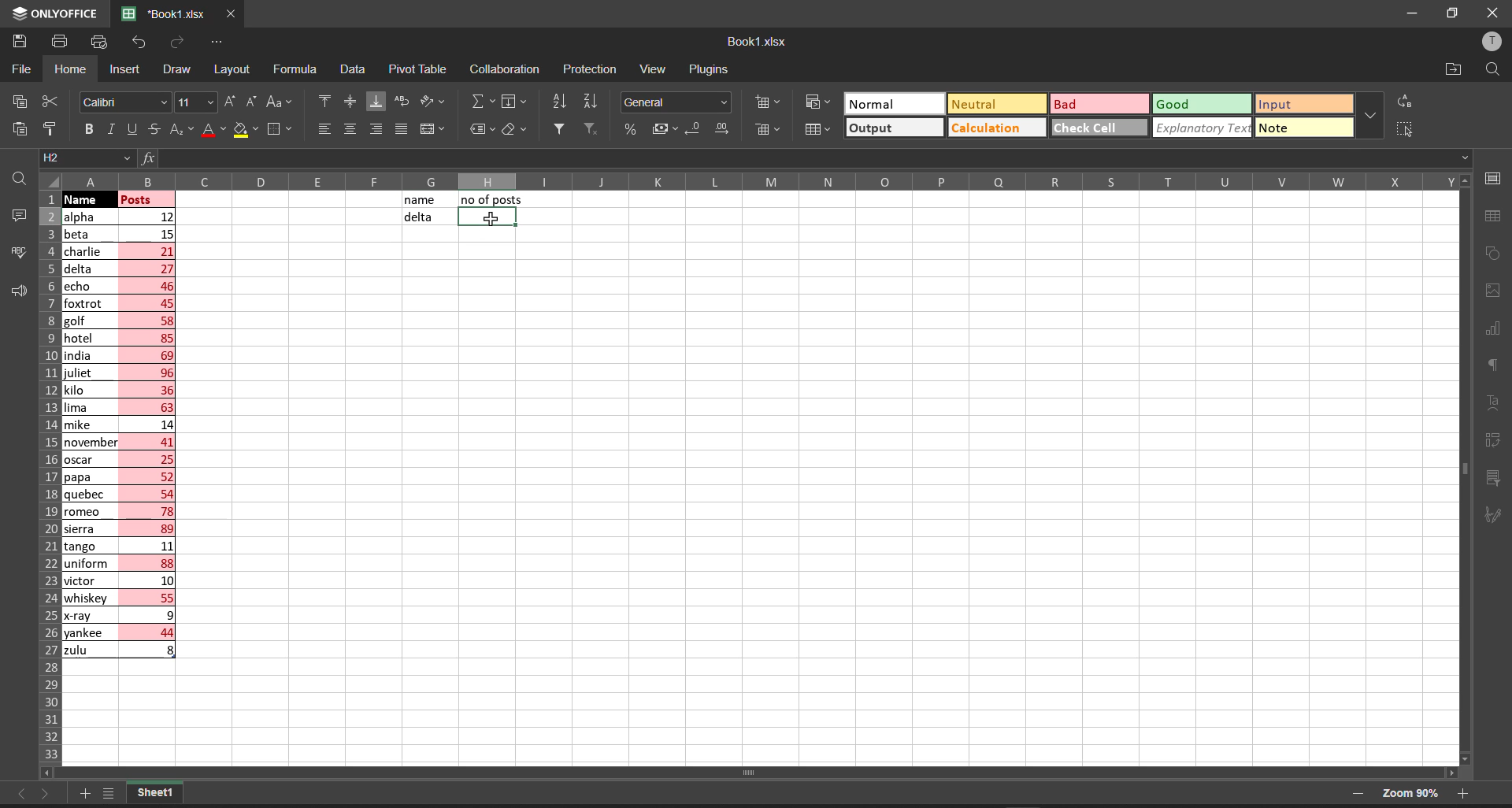  Describe the element at coordinates (353, 69) in the screenshot. I see `data` at that location.